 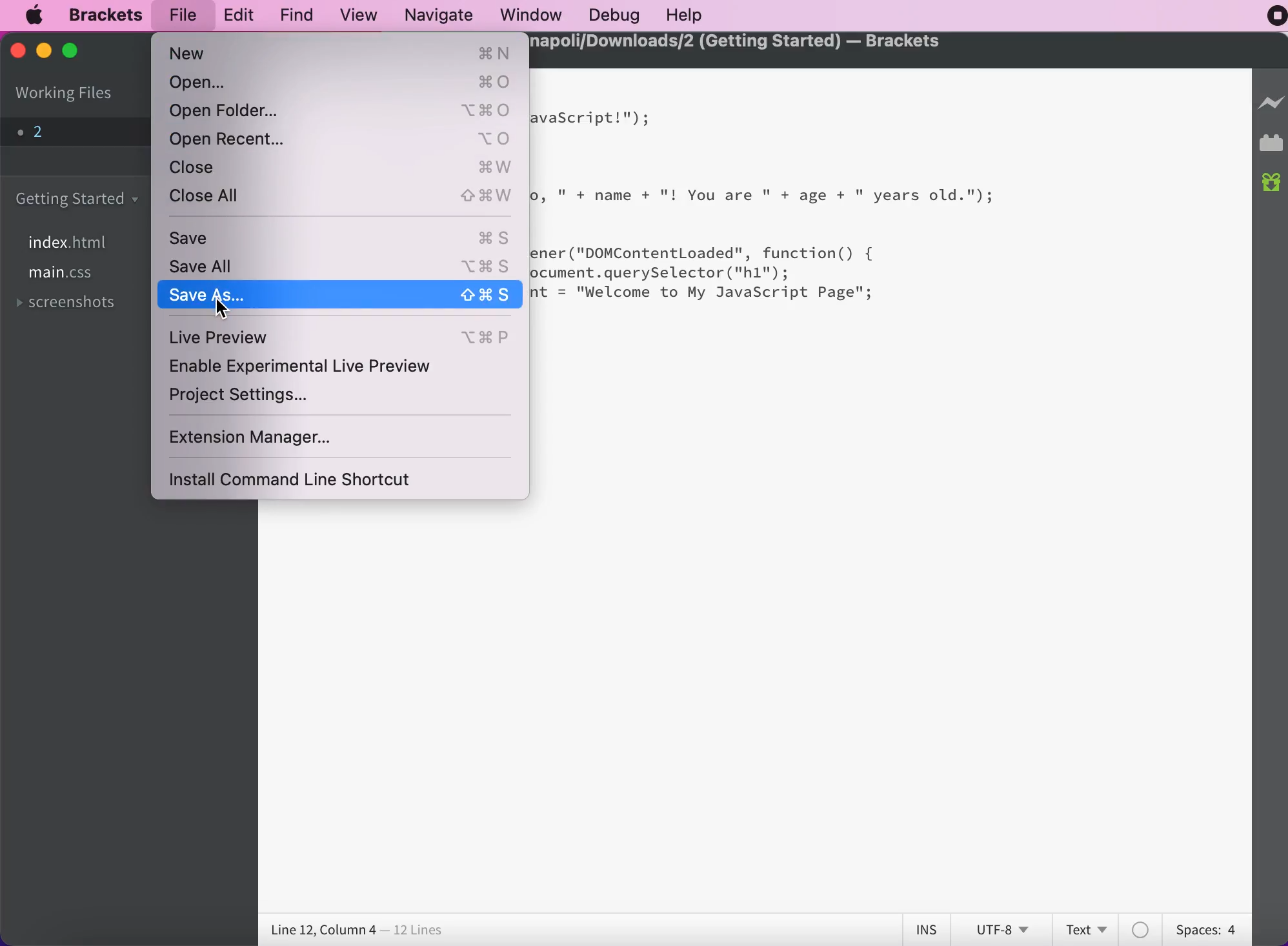 What do you see at coordinates (339, 238) in the screenshot?
I see `save` at bounding box center [339, 238].